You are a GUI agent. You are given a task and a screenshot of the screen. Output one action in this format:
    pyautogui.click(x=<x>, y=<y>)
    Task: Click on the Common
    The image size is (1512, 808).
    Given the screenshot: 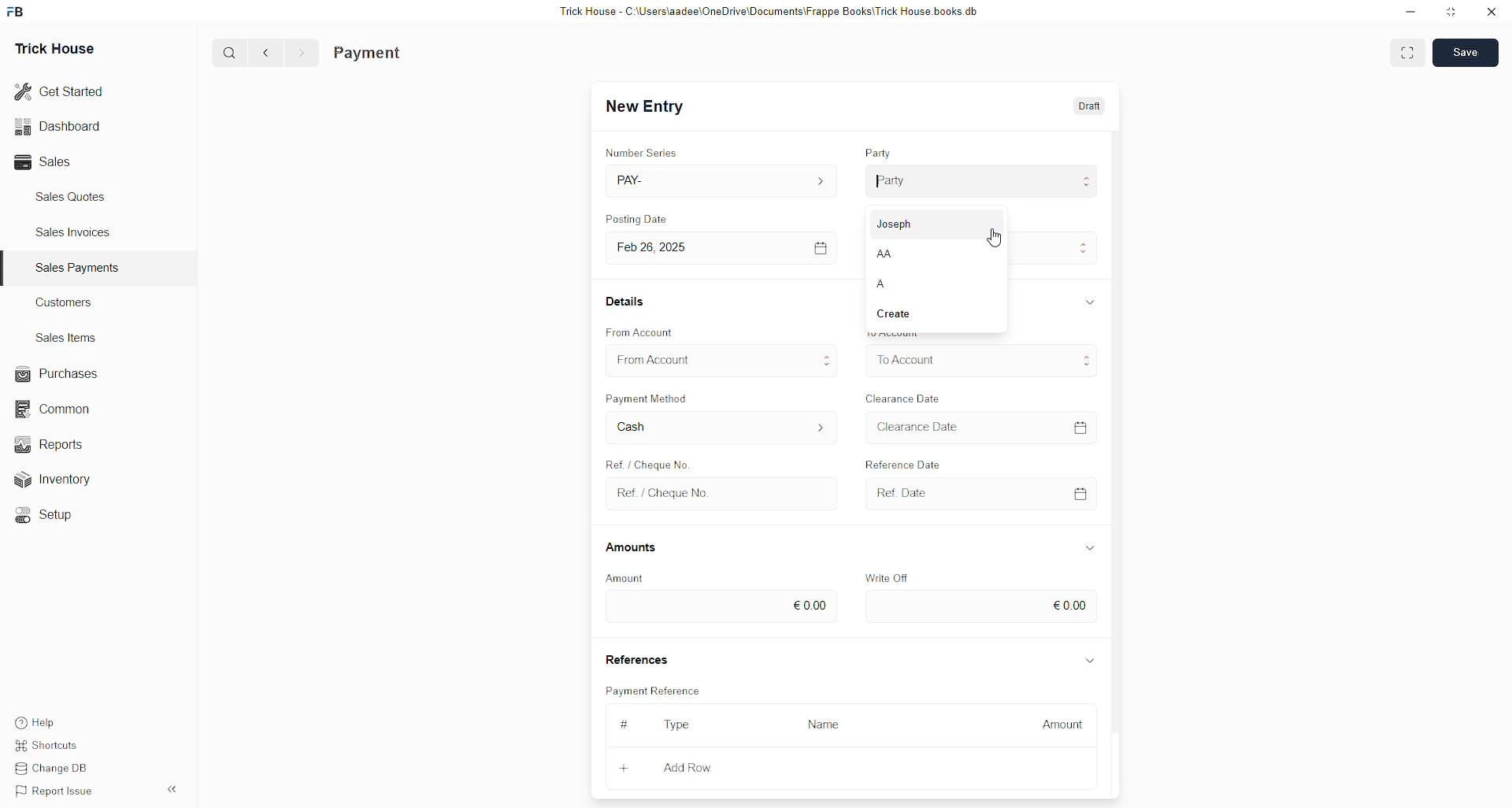 What is the action you would take?
    pyautogui.click(x=60, y=410)
    